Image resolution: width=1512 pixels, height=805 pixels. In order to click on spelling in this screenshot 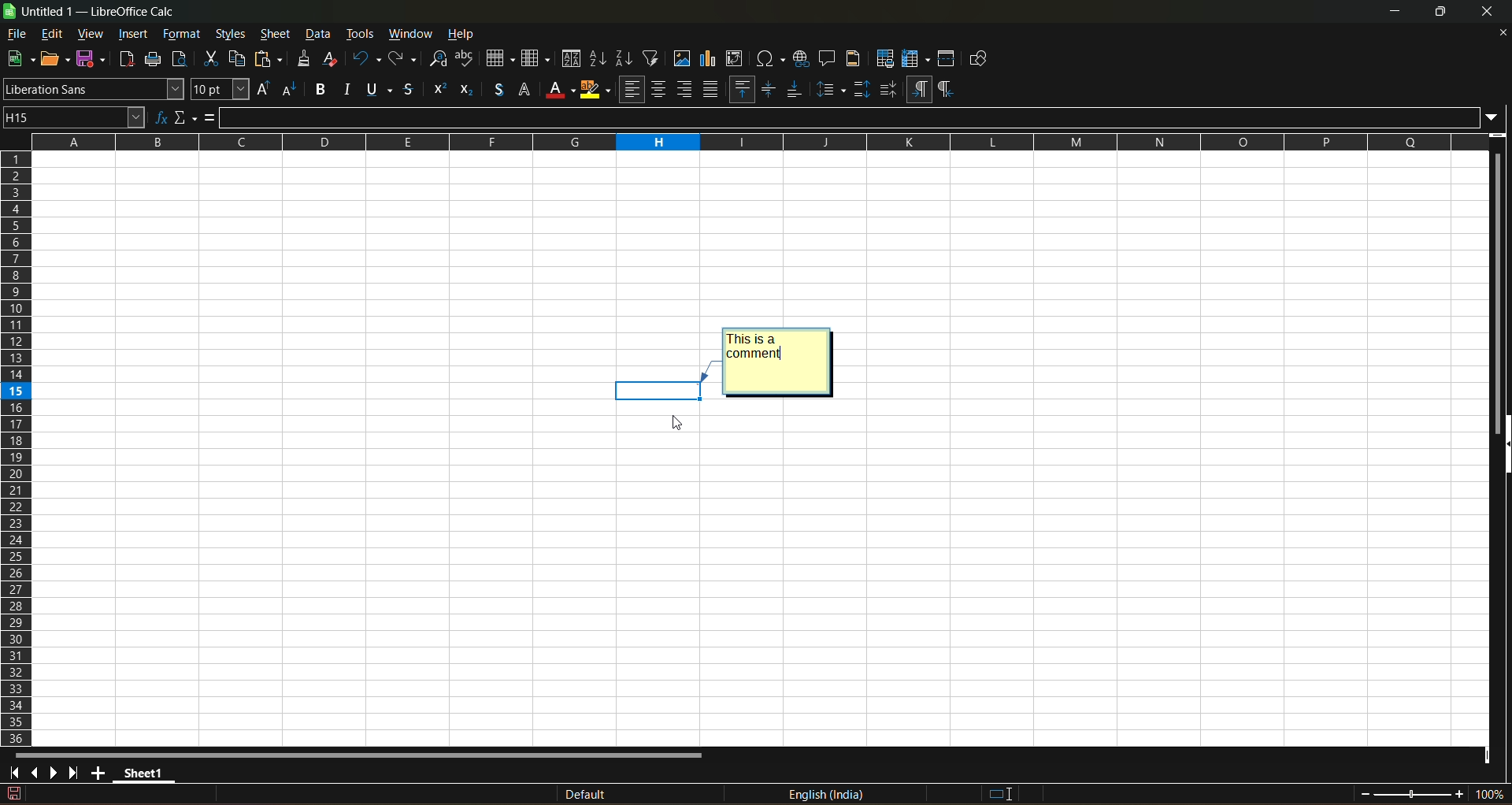, I will do `click(465, 58)`.